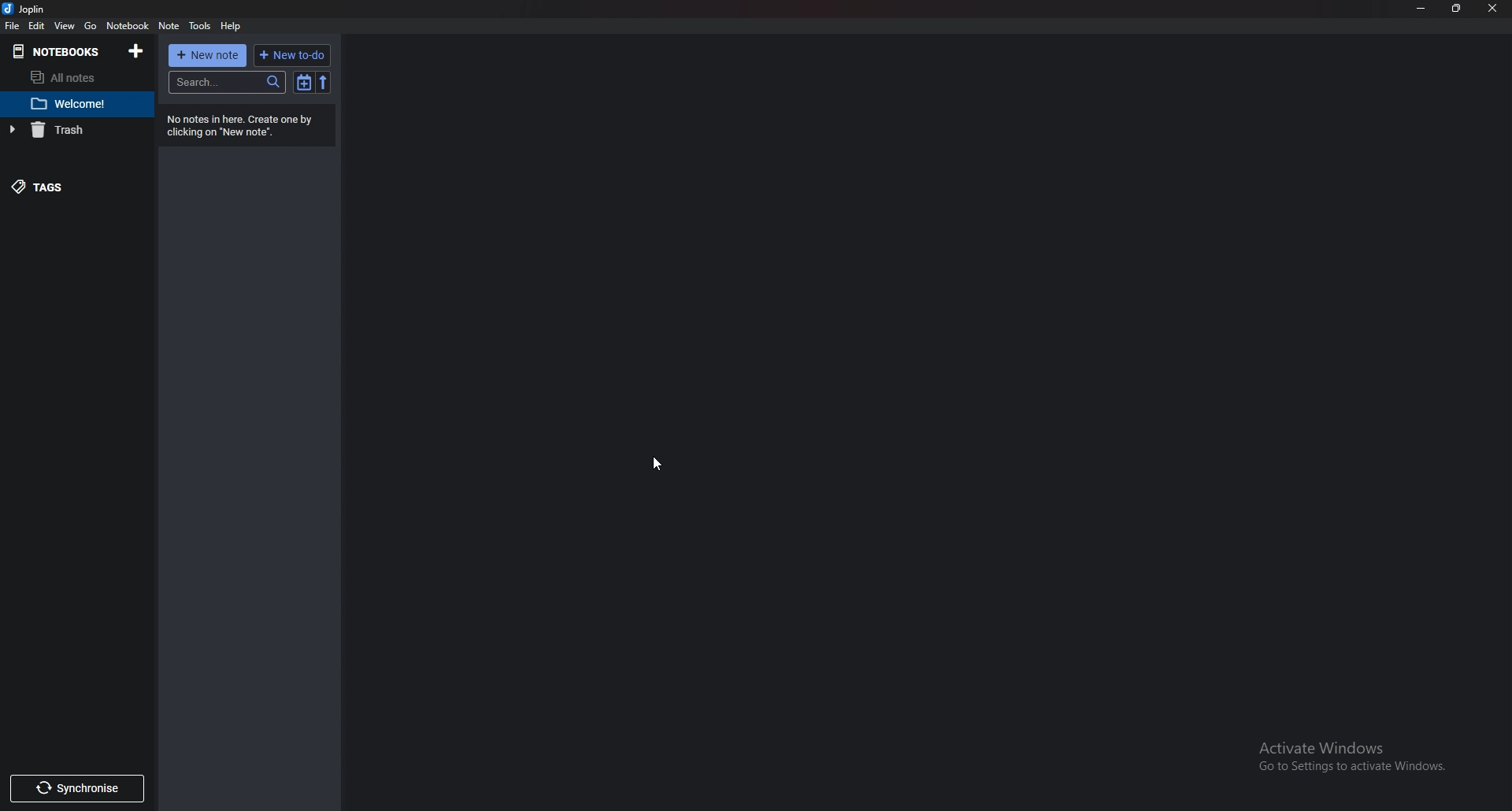  I want to click on Edit, so click(38, 25).